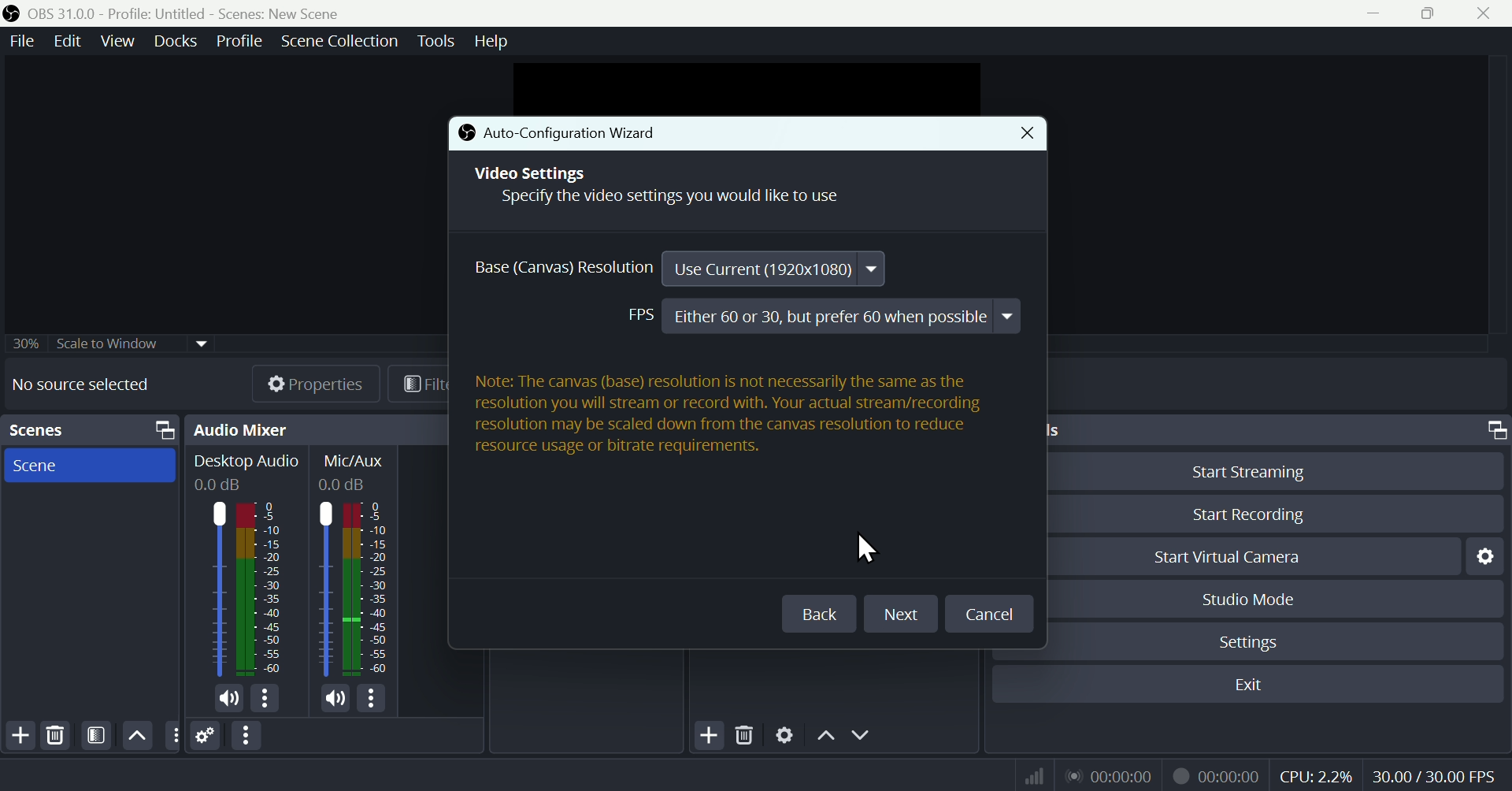 This screenshot has height=791, width=1512. Describe the element at coordinates (1270, 514) in the screenshot. I see `Start Recording` at that location.